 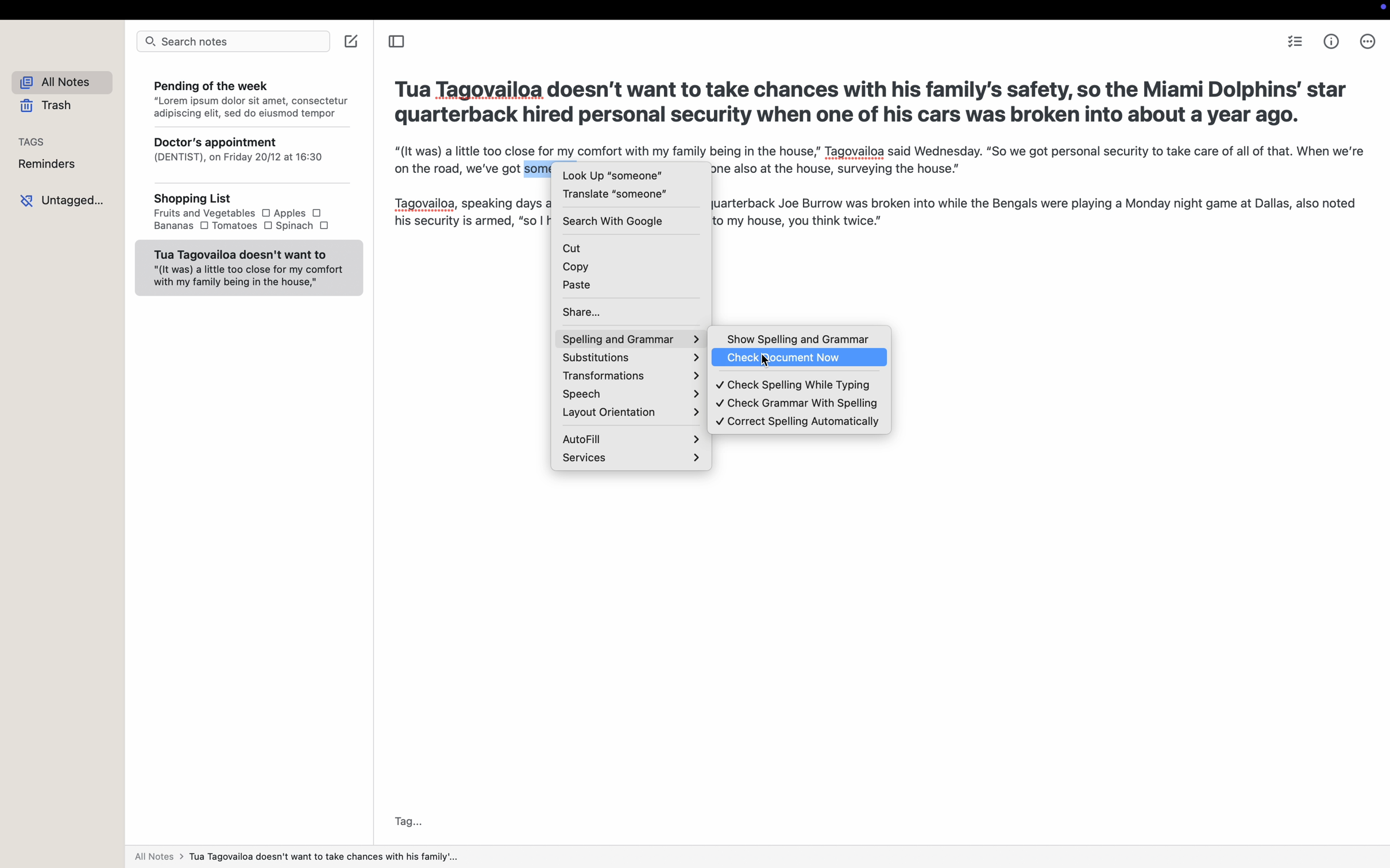 What do you see at coordinates (797, 422) in the screenshot?
I see `correct spelling automatically` at bounding box center [797, 422].